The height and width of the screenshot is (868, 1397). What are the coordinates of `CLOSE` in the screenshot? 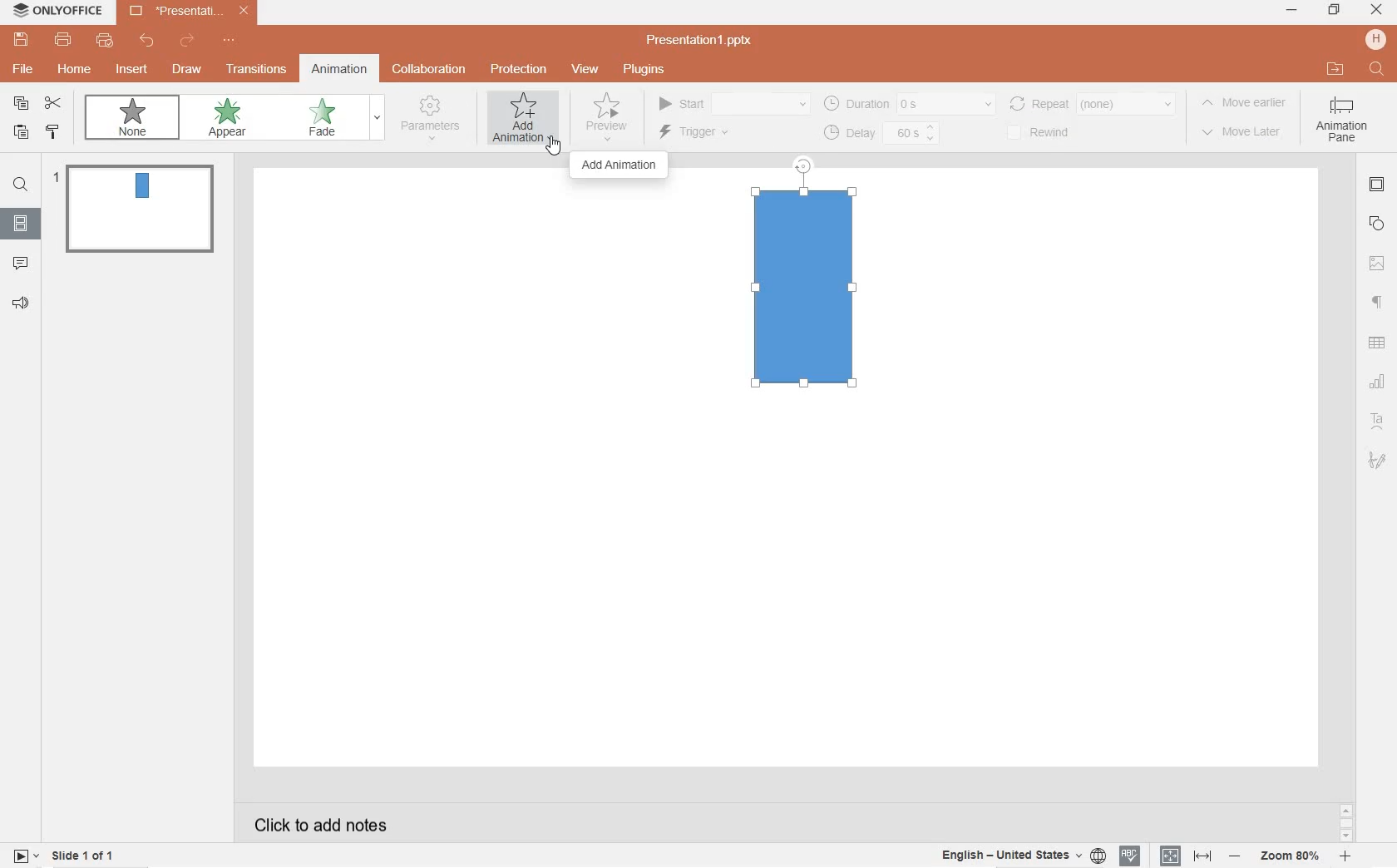 It's located at (1377, 11).